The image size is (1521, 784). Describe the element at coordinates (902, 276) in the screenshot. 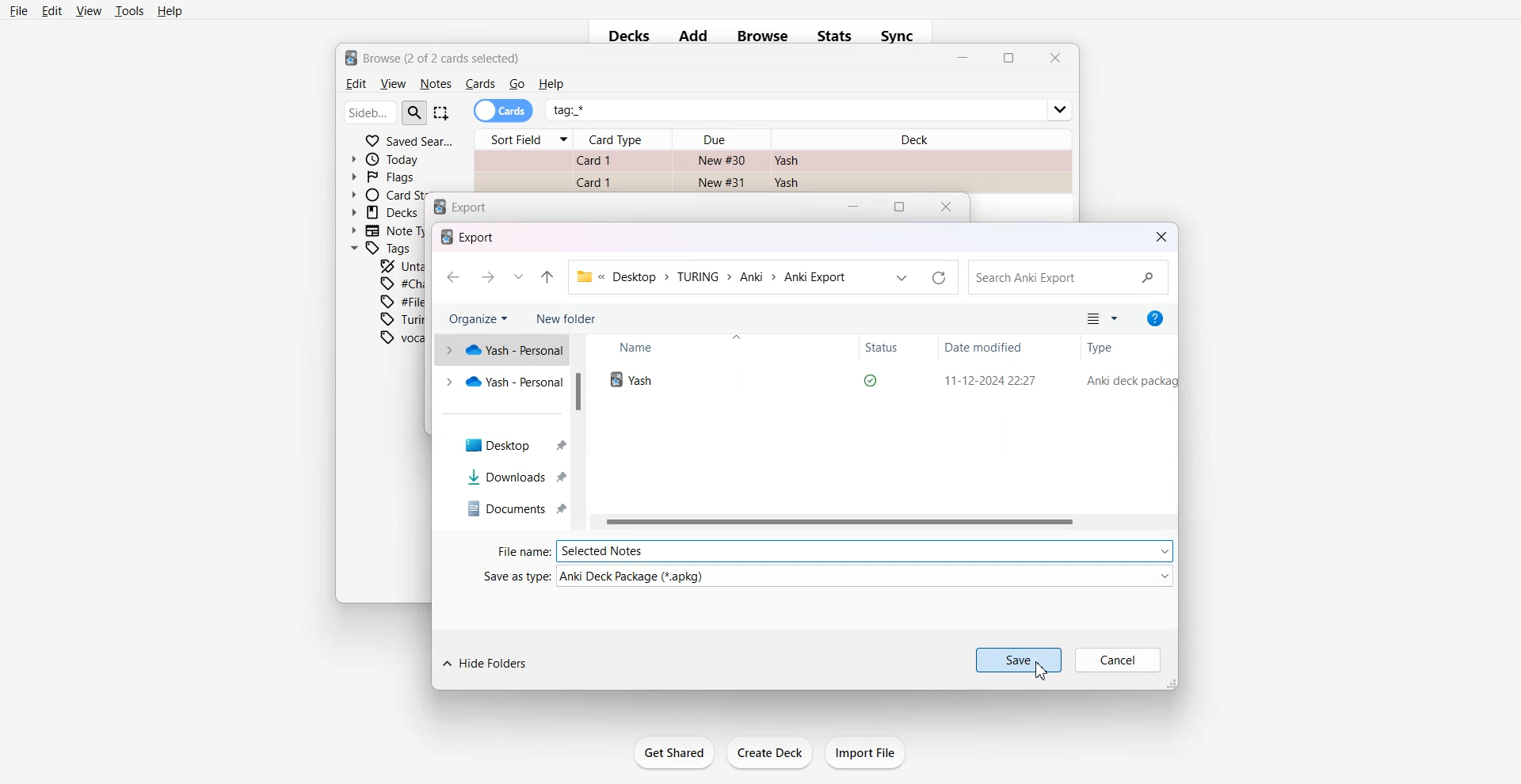

I see `Previous file` at that location.